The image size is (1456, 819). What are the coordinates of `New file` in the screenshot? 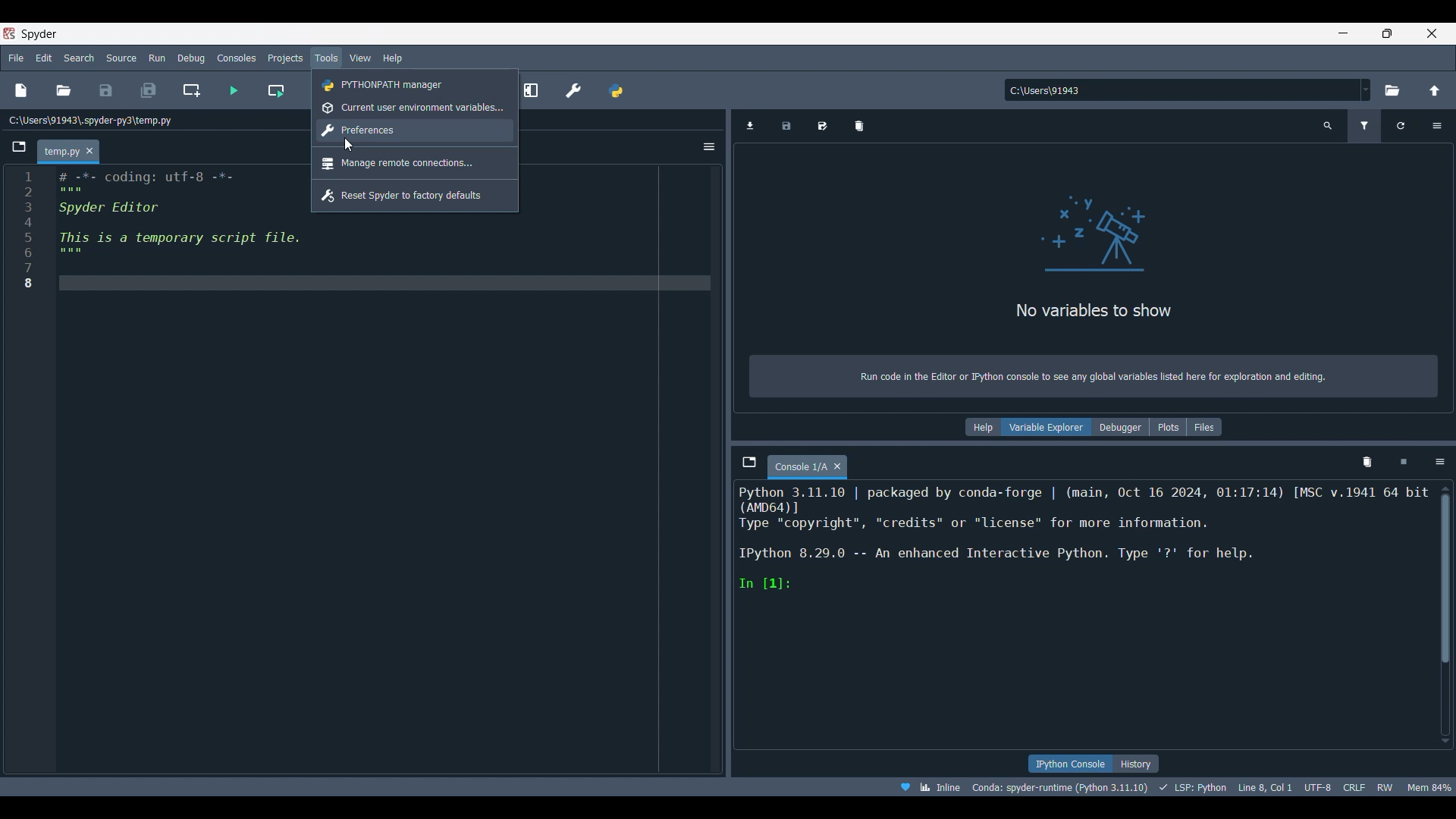 It's located at (22, 90).